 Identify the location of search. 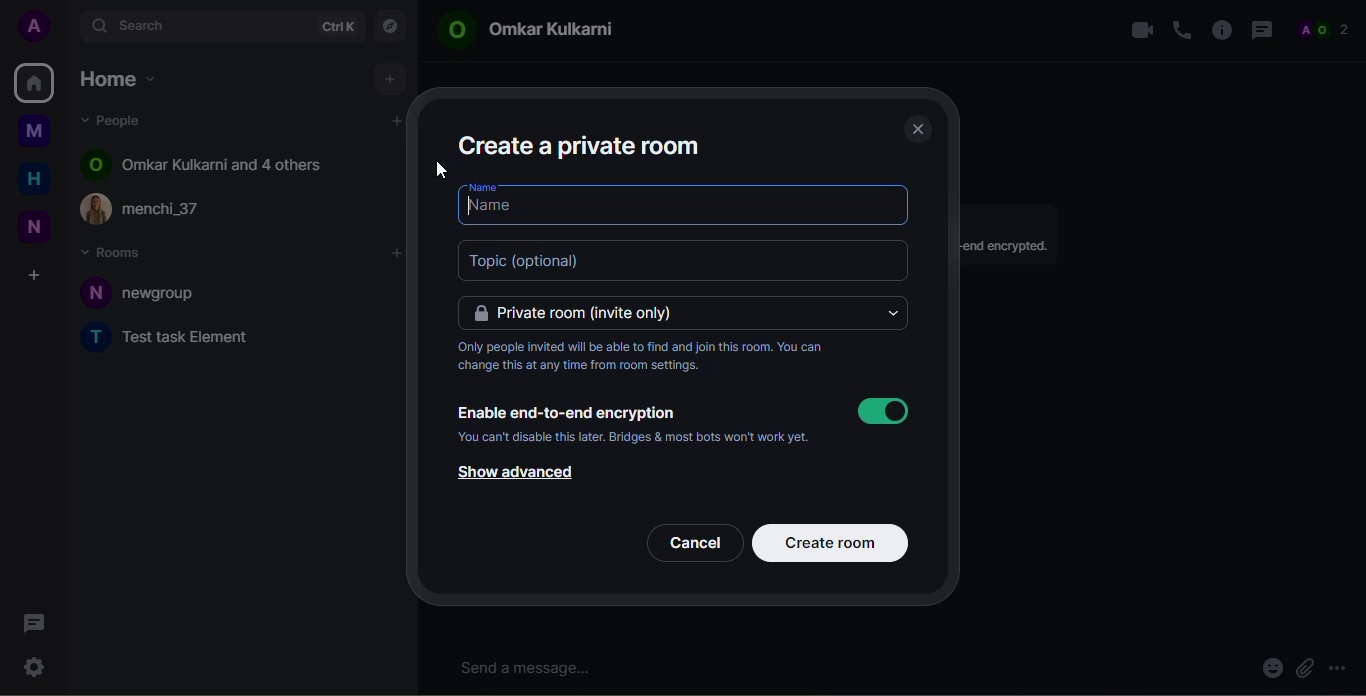
(146, 24).